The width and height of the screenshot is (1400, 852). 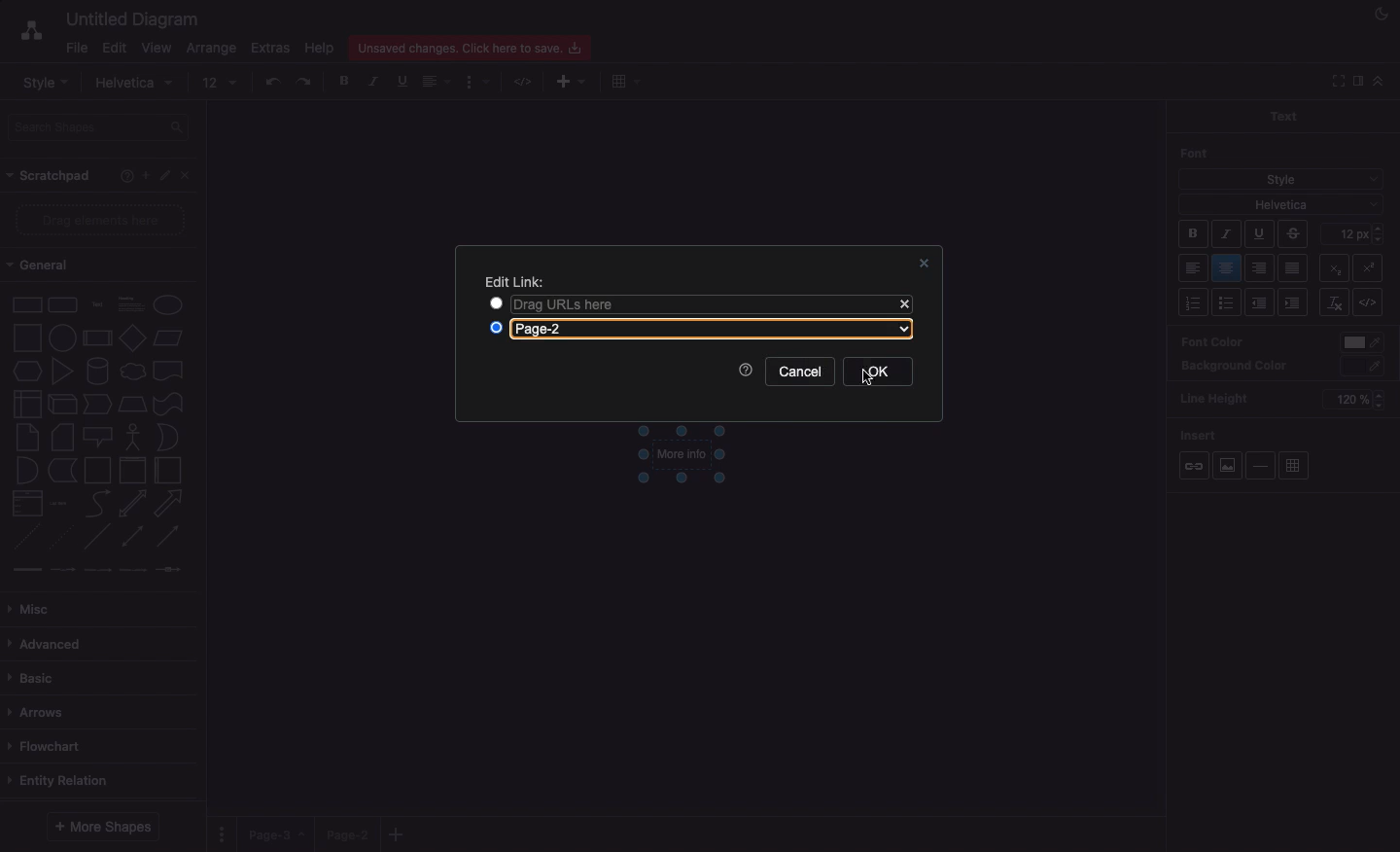 What do you see at coordinates (62, 571) in the screenshot?
I see `connector with label` at bounding box center [62, 571].